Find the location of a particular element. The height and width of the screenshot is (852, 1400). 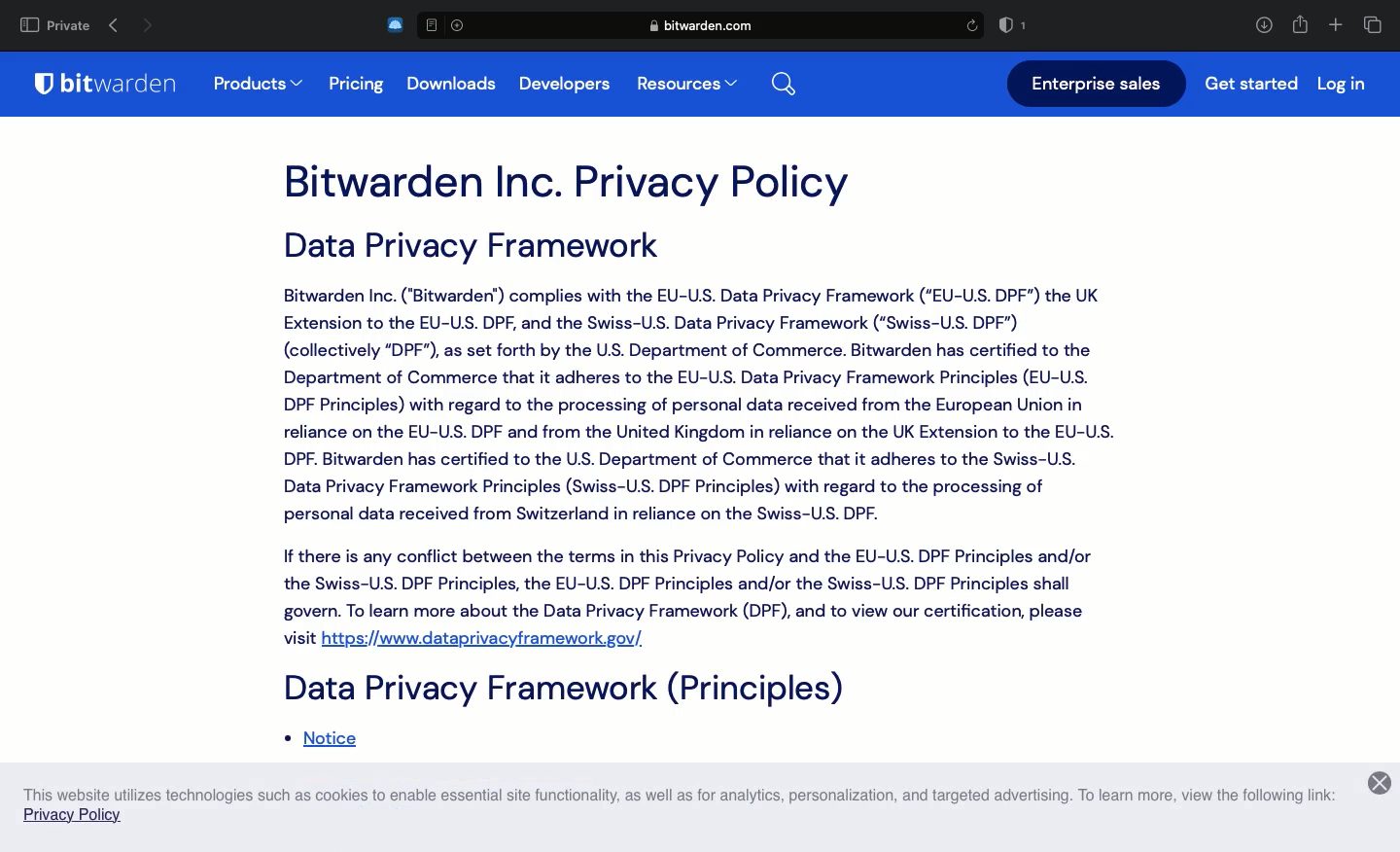

Download is located at coordinates (1264, 25).